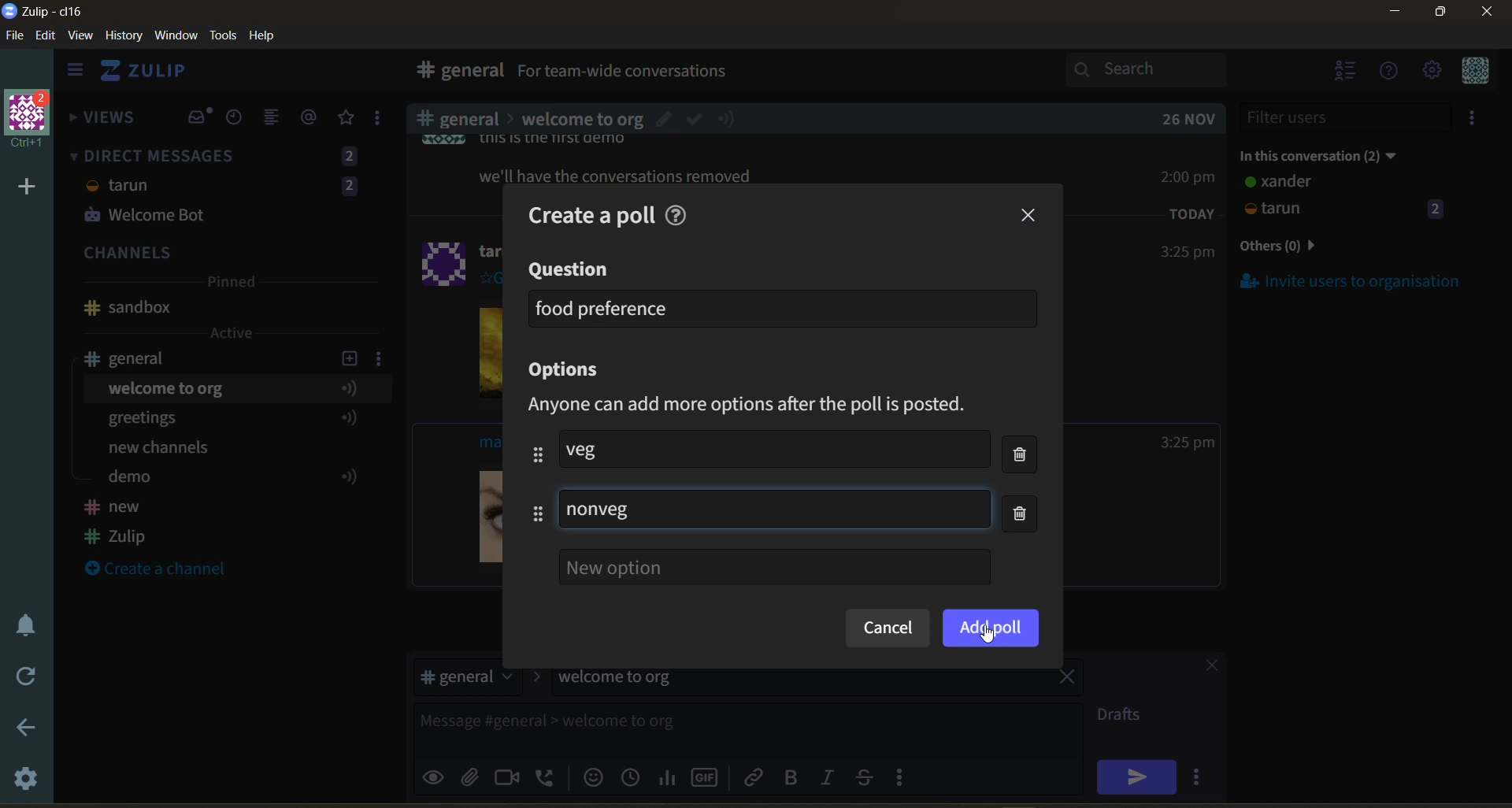 Image resolution: width=1512 pixels, height=808 pixels. I want to click on channel name, so click(136, 358).